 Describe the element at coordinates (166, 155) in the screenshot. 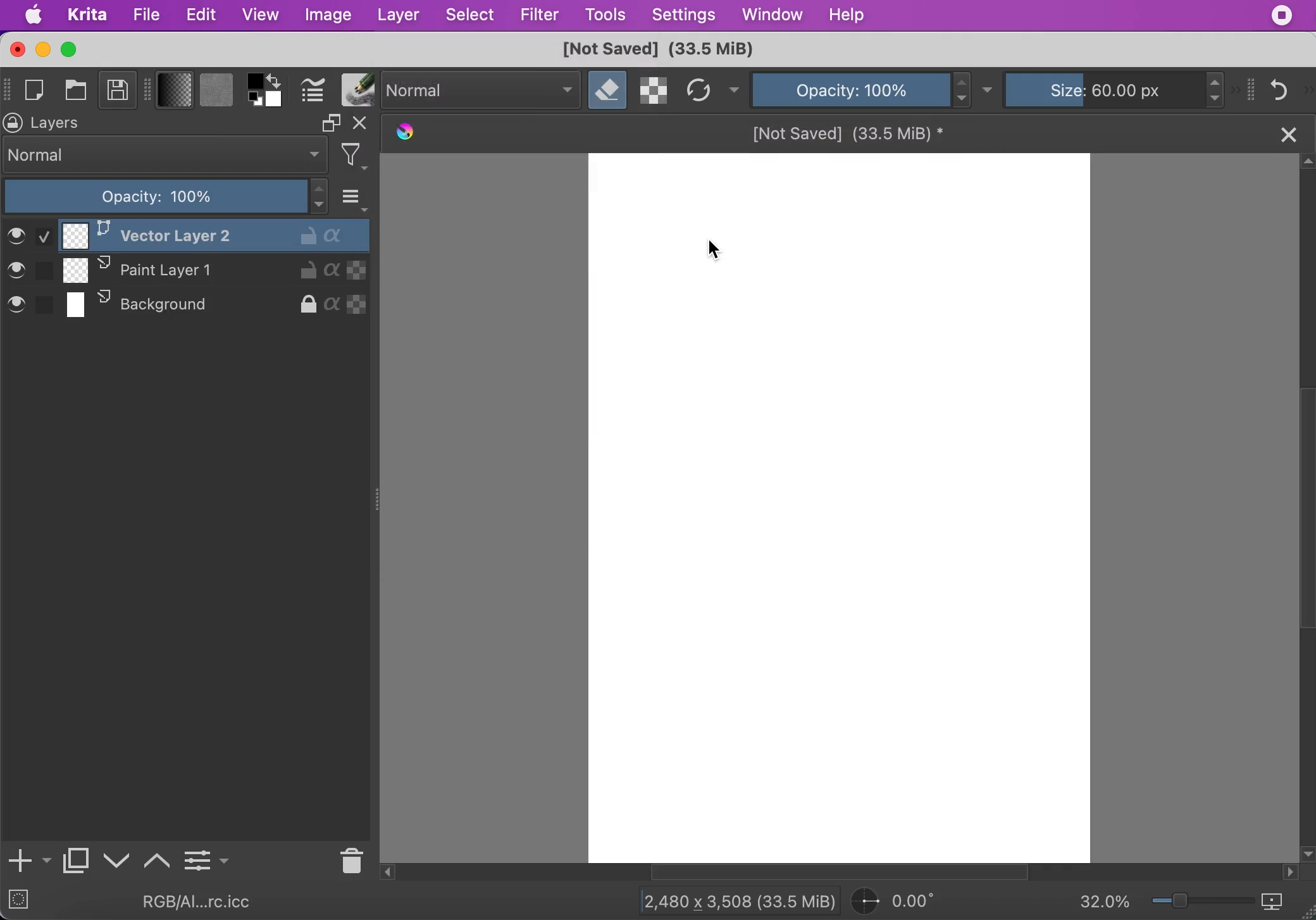

I see `blending mode` at that location.